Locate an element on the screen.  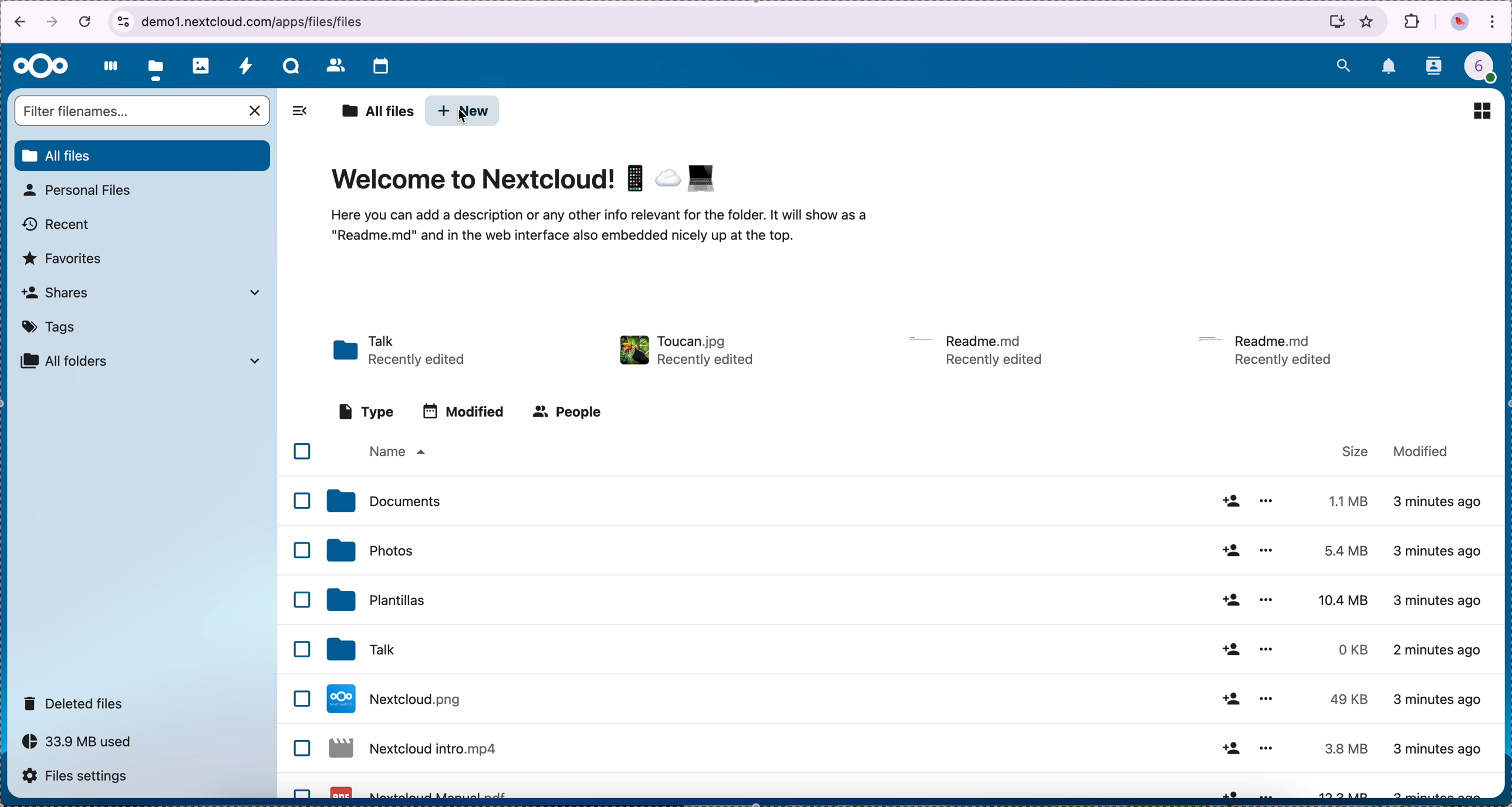
name is located at coordinates (396, 453).